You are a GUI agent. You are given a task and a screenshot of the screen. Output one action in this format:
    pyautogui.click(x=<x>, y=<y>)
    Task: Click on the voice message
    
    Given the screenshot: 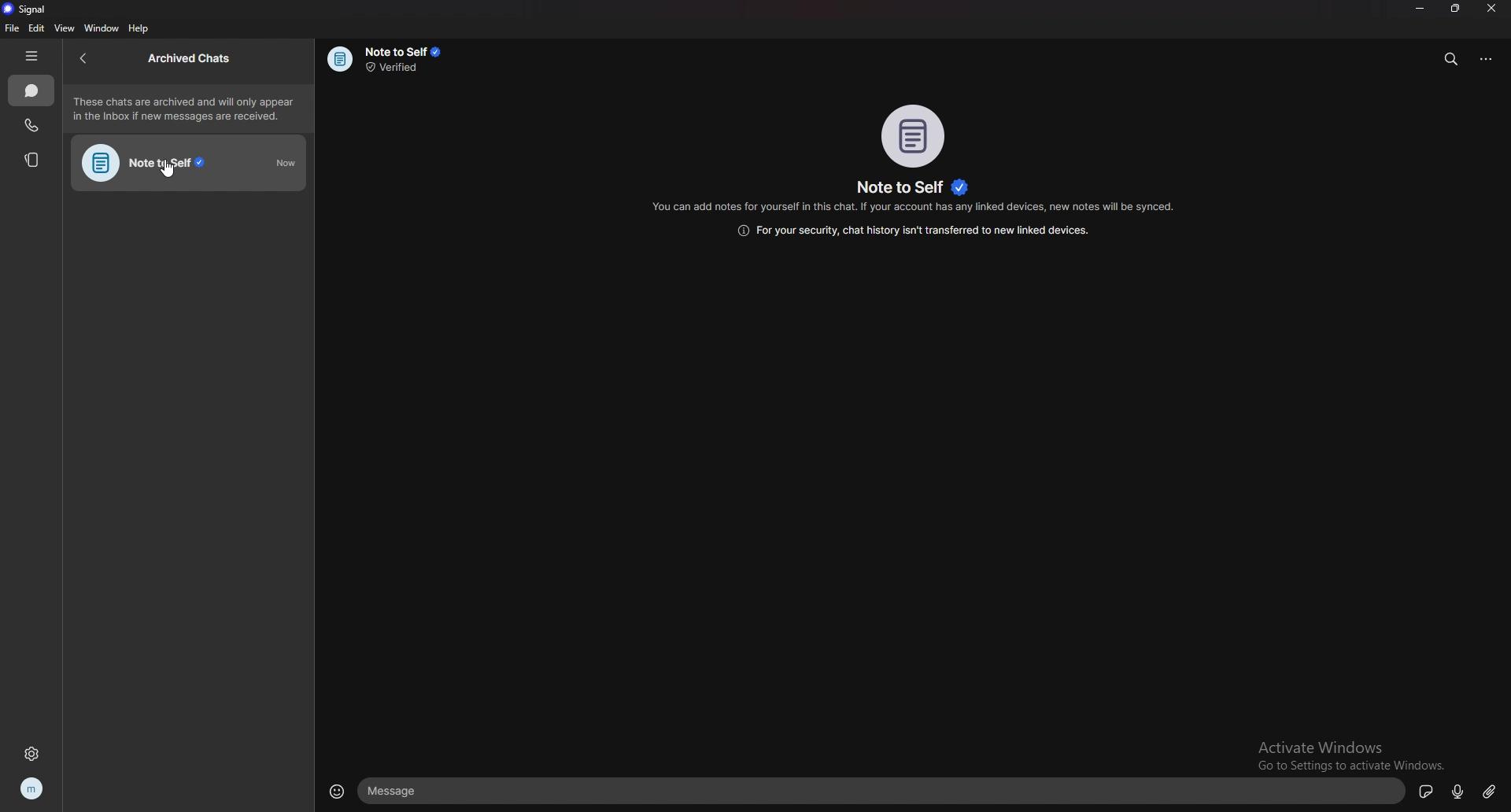 What is the action you would take?
    pyautogui.click(x=1458, y=790)
    